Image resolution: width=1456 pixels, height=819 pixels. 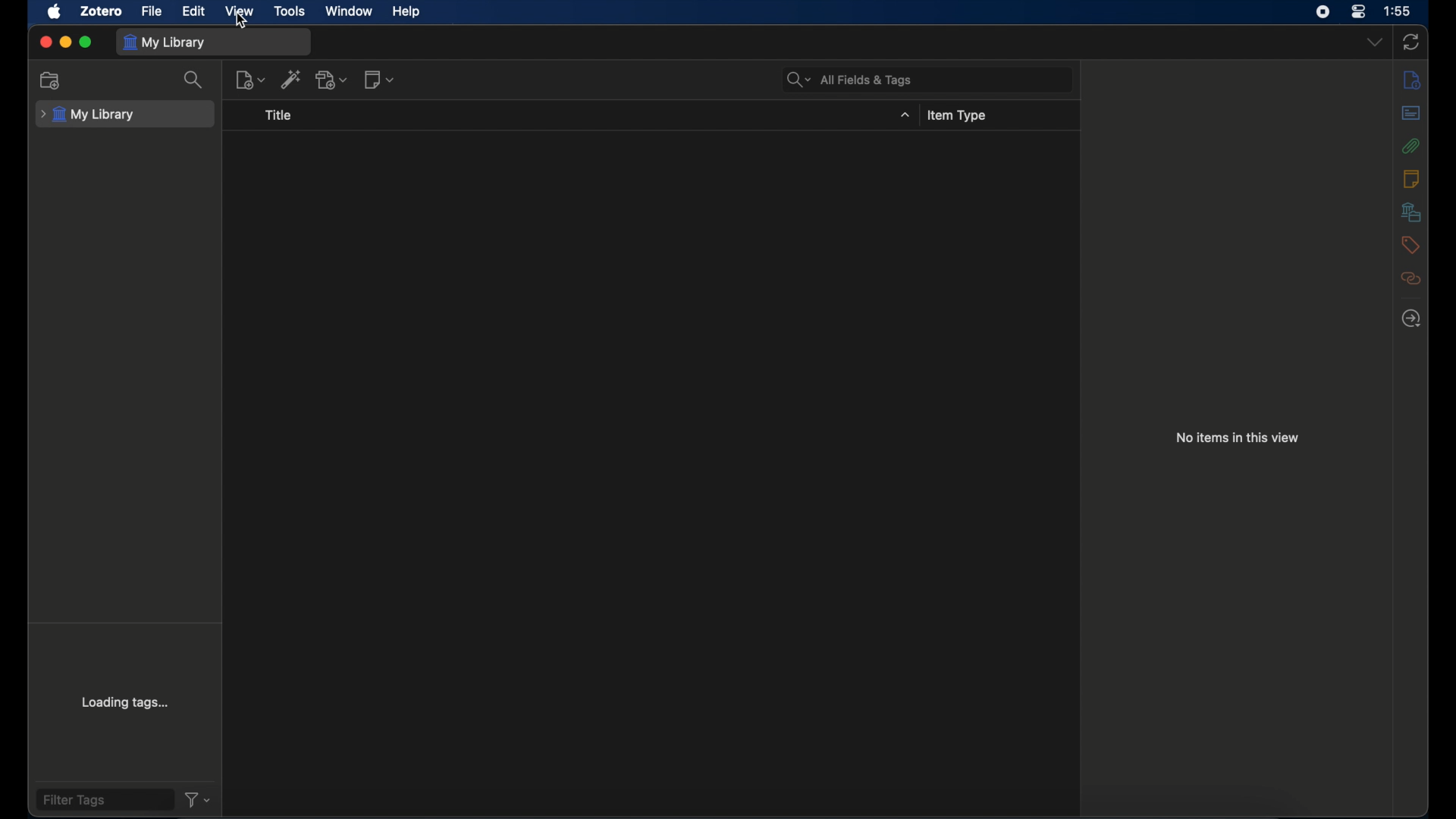 I want to click on attachments, so click(x=1411, y=146).